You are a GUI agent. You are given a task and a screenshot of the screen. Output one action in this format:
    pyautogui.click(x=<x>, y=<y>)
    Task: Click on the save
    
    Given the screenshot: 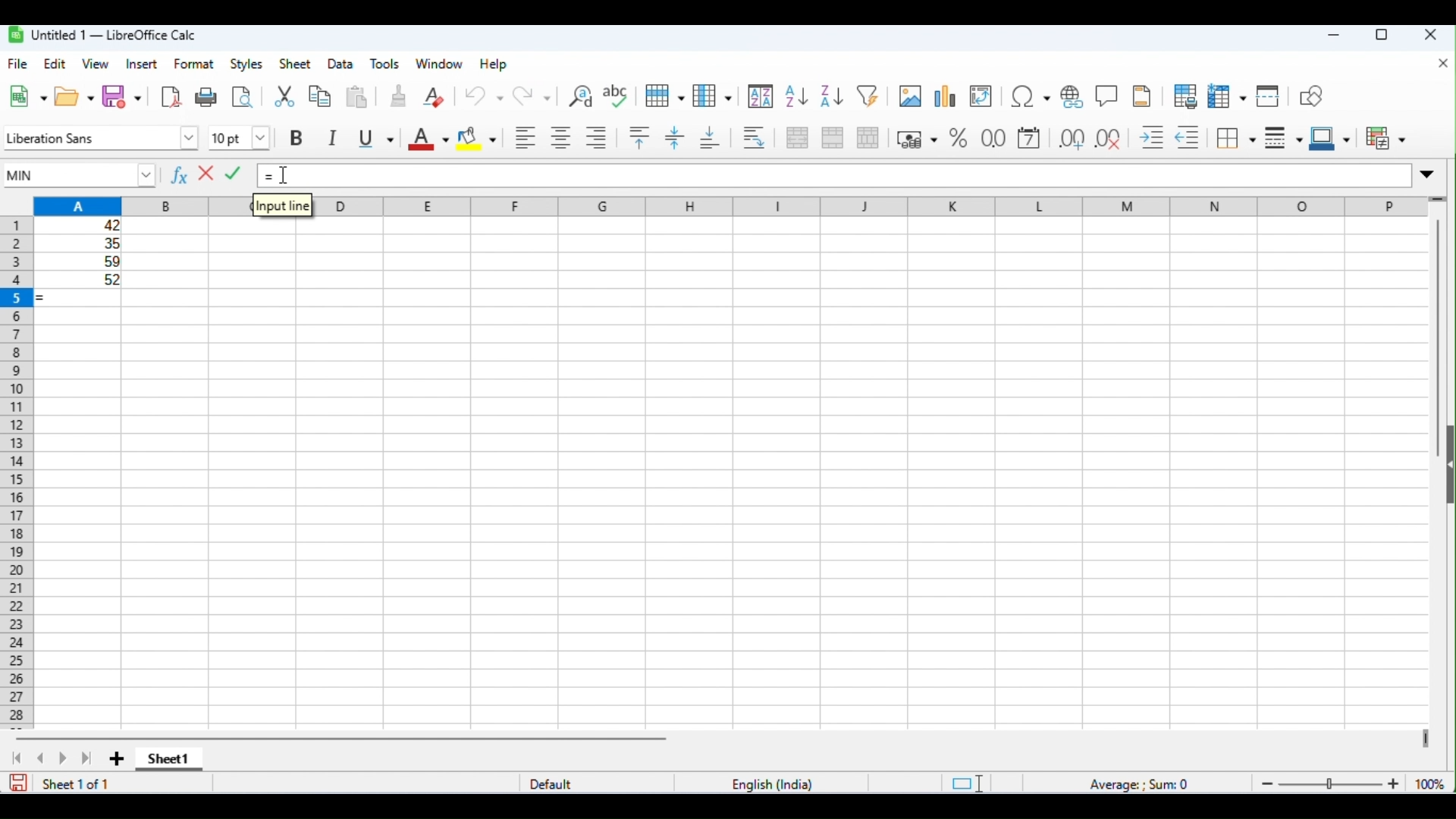 What is the action you would take?
    pyautogui.click(x=17, y=783)
    